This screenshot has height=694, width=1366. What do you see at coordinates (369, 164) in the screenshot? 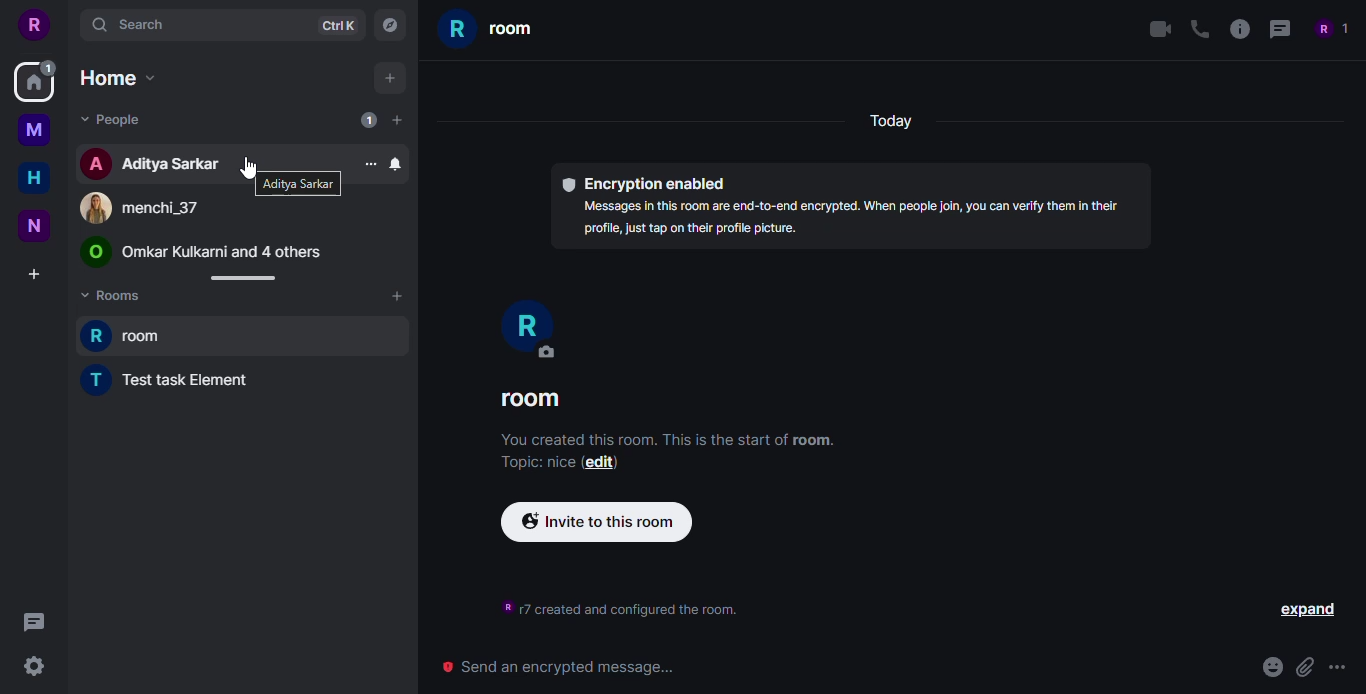
I see `more` at bounding box center [369, 164].